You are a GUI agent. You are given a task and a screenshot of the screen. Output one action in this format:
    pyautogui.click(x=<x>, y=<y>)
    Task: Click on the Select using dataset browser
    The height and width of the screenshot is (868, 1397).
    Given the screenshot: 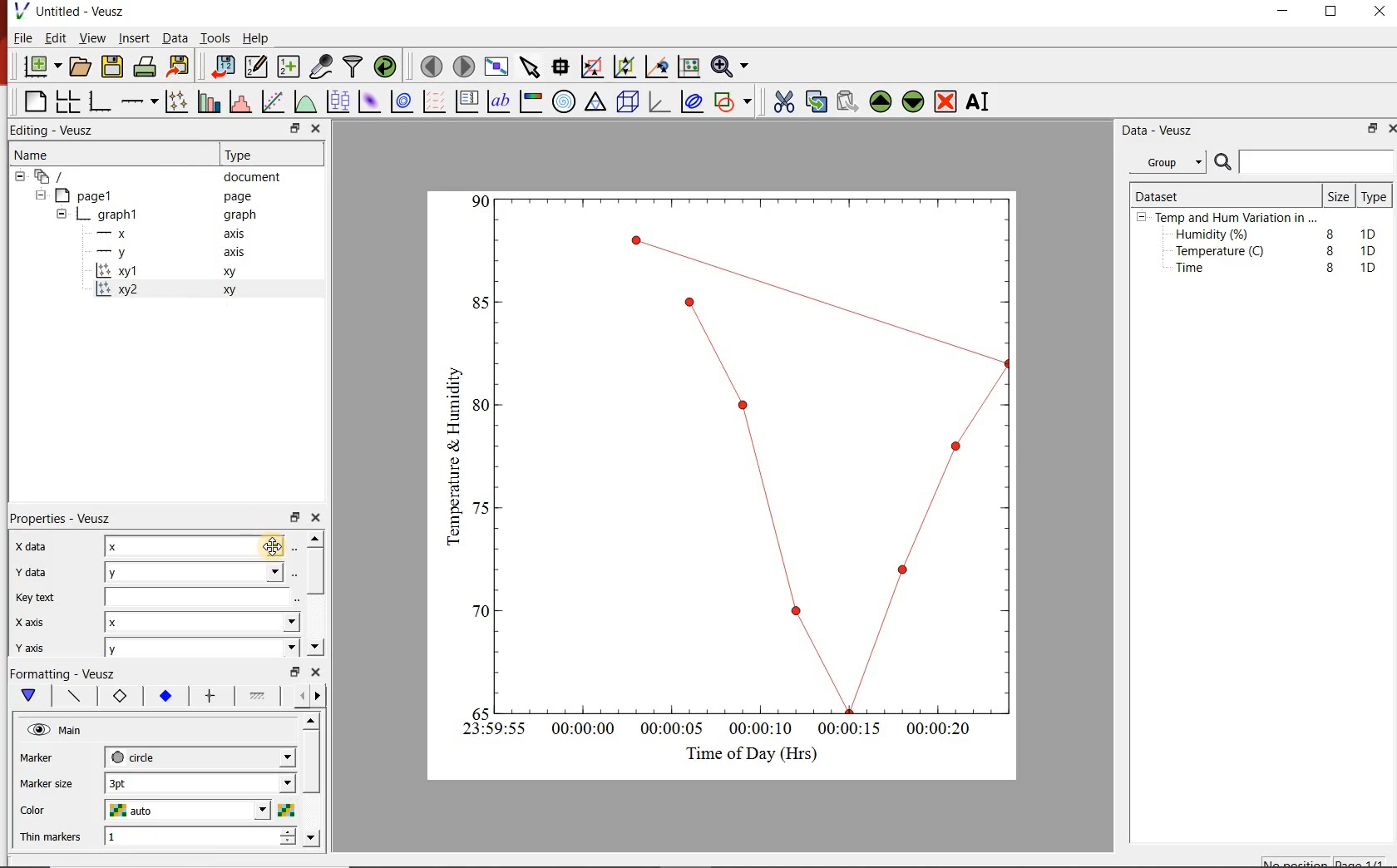 What is the action you would take?
    pyautogui.click(x=300, y=547)
    